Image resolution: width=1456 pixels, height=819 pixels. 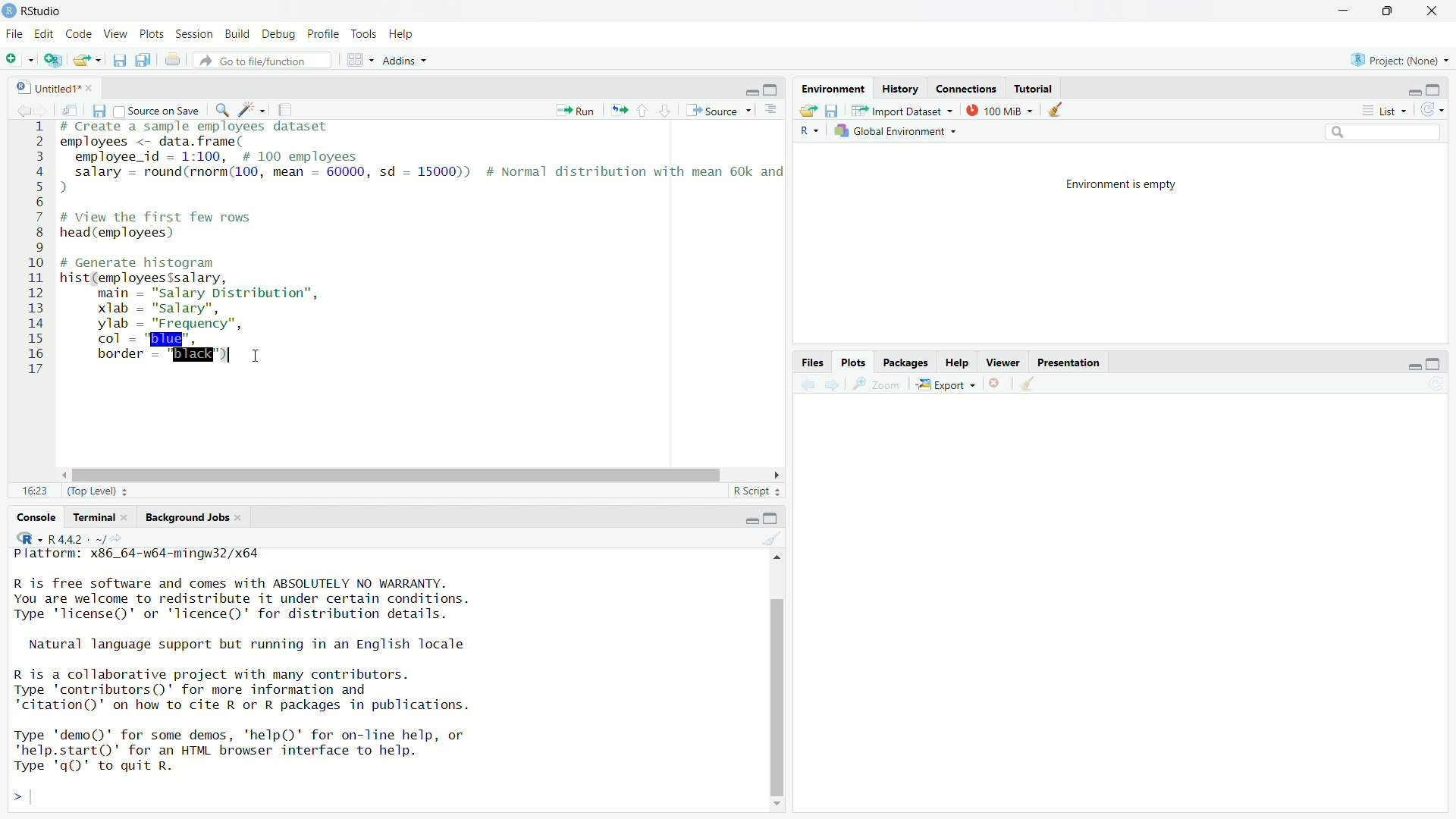 I want to click on 1 2 3 4 5 6 7 8 9 10 11 12 13 14 15 16 17, so click(x=39, y=250).